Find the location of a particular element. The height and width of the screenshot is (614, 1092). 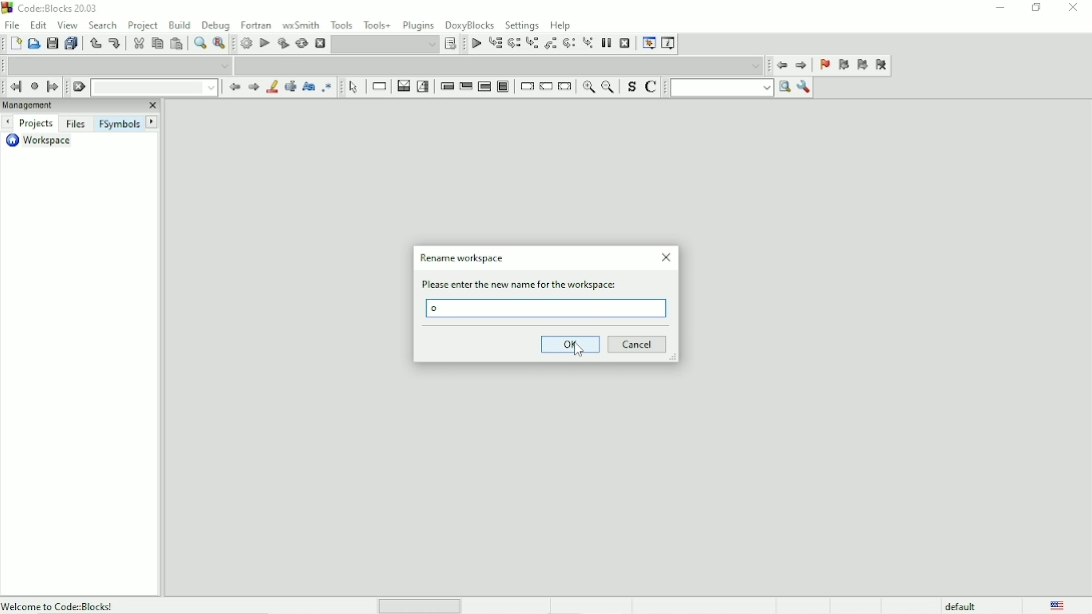

Help is located at coordinates (560, 24).